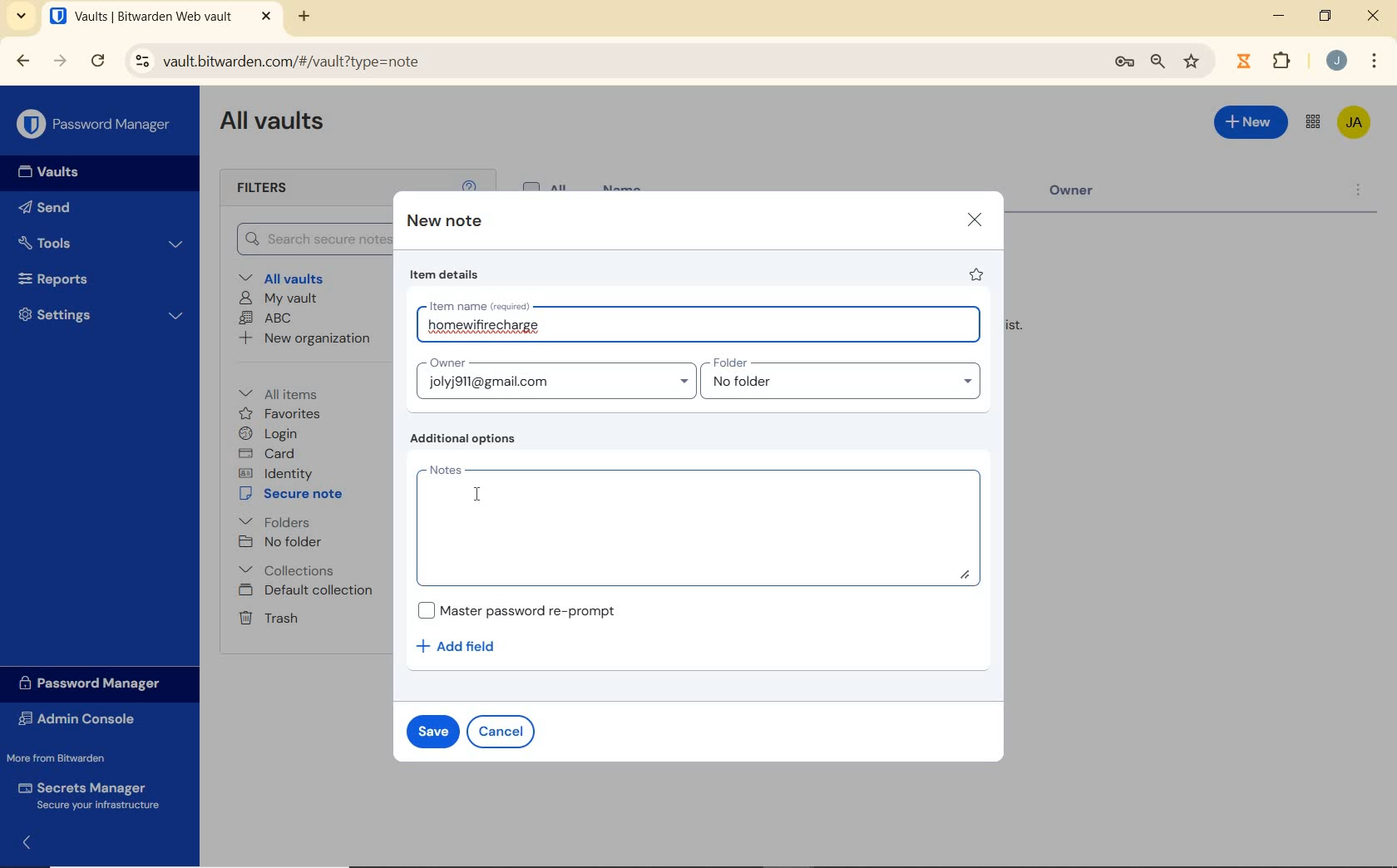 This screenshot has width=1397, height=868. What do you see at coordinates (275, 472) in the screenshot?
I see `identity` at bounding box center [275, 472].